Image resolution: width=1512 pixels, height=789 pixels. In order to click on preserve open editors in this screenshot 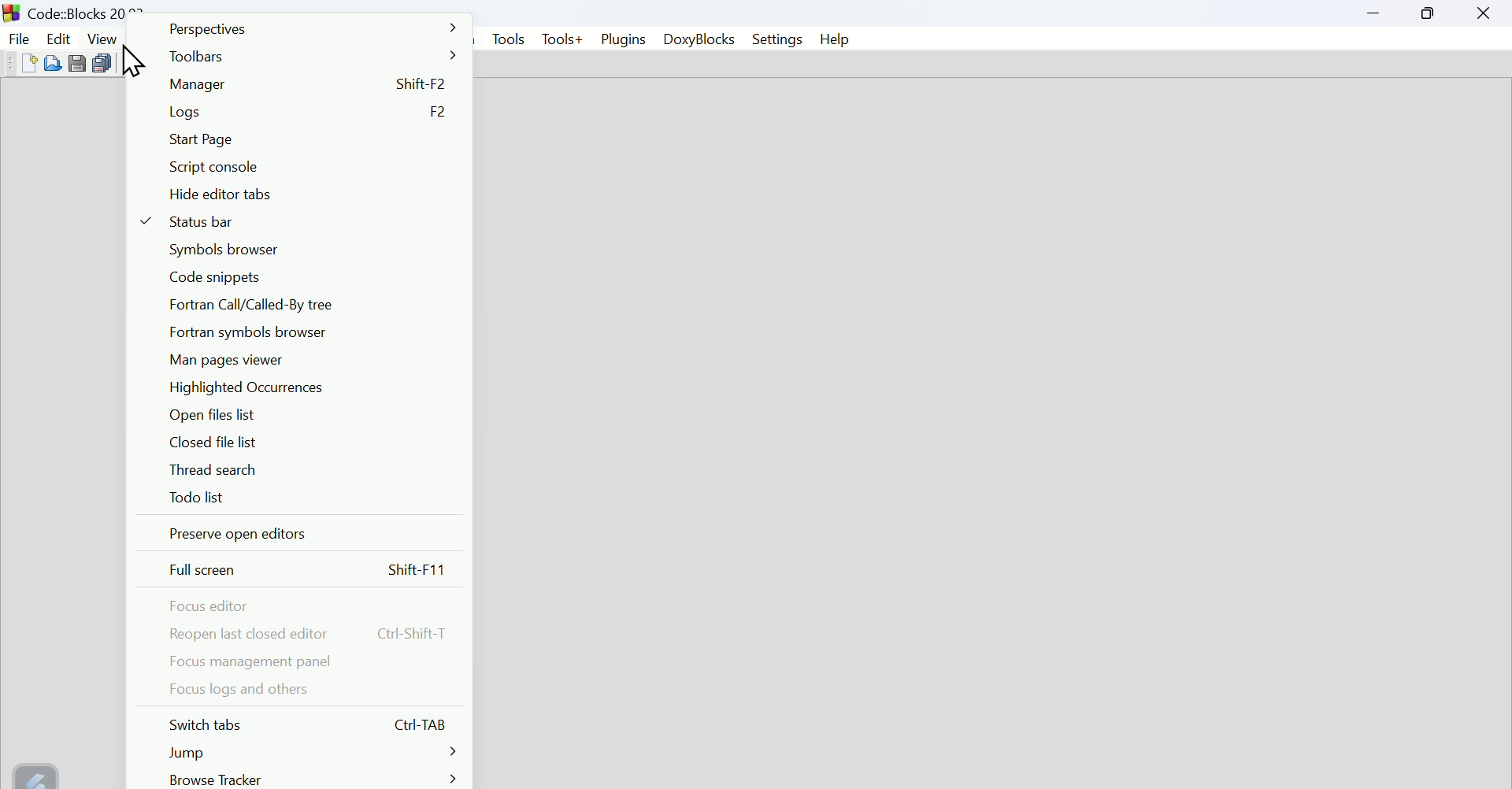, I will do `click(240, 534)`.